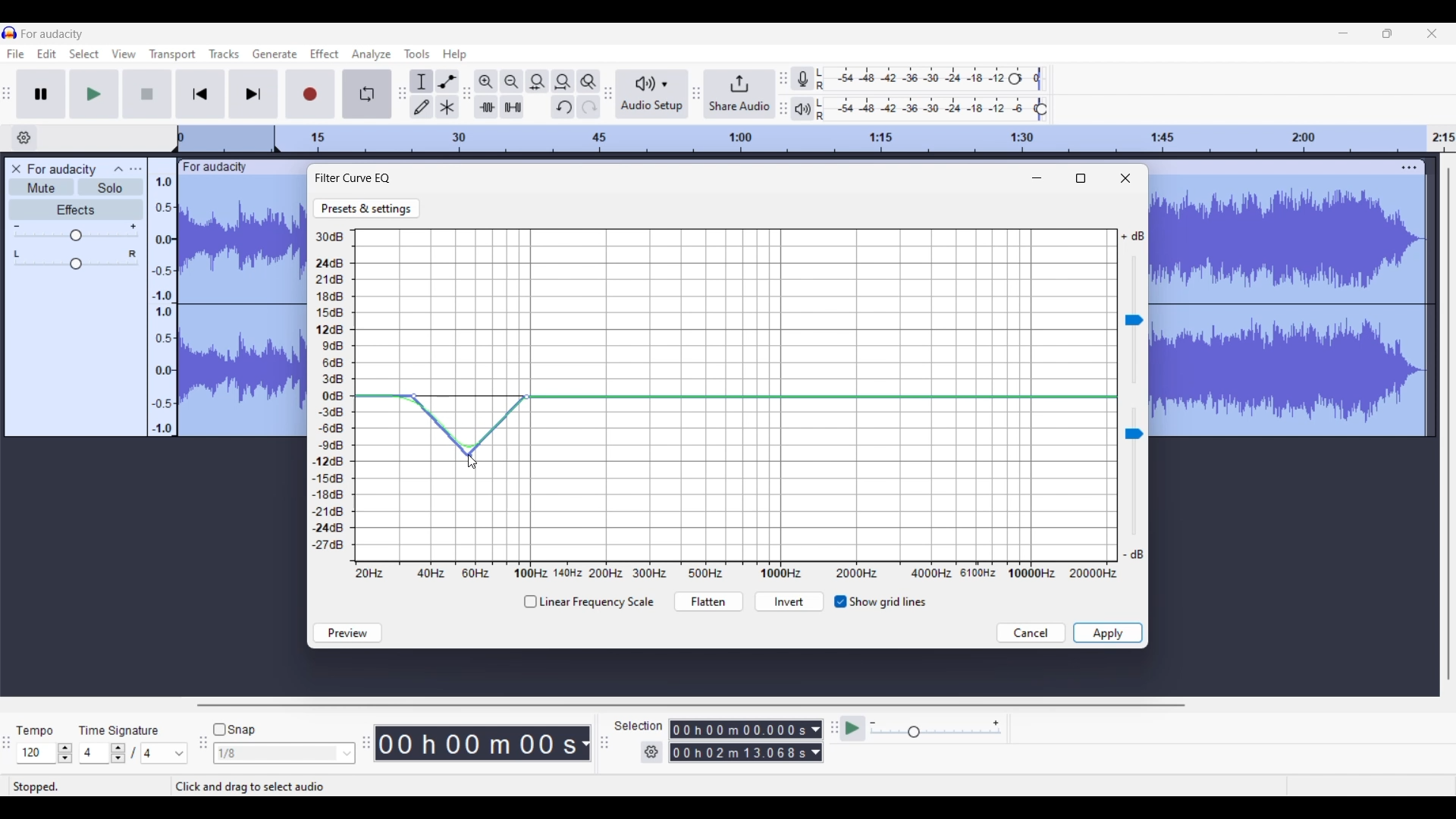  I want to click on Enable looping, so click(367, 94).